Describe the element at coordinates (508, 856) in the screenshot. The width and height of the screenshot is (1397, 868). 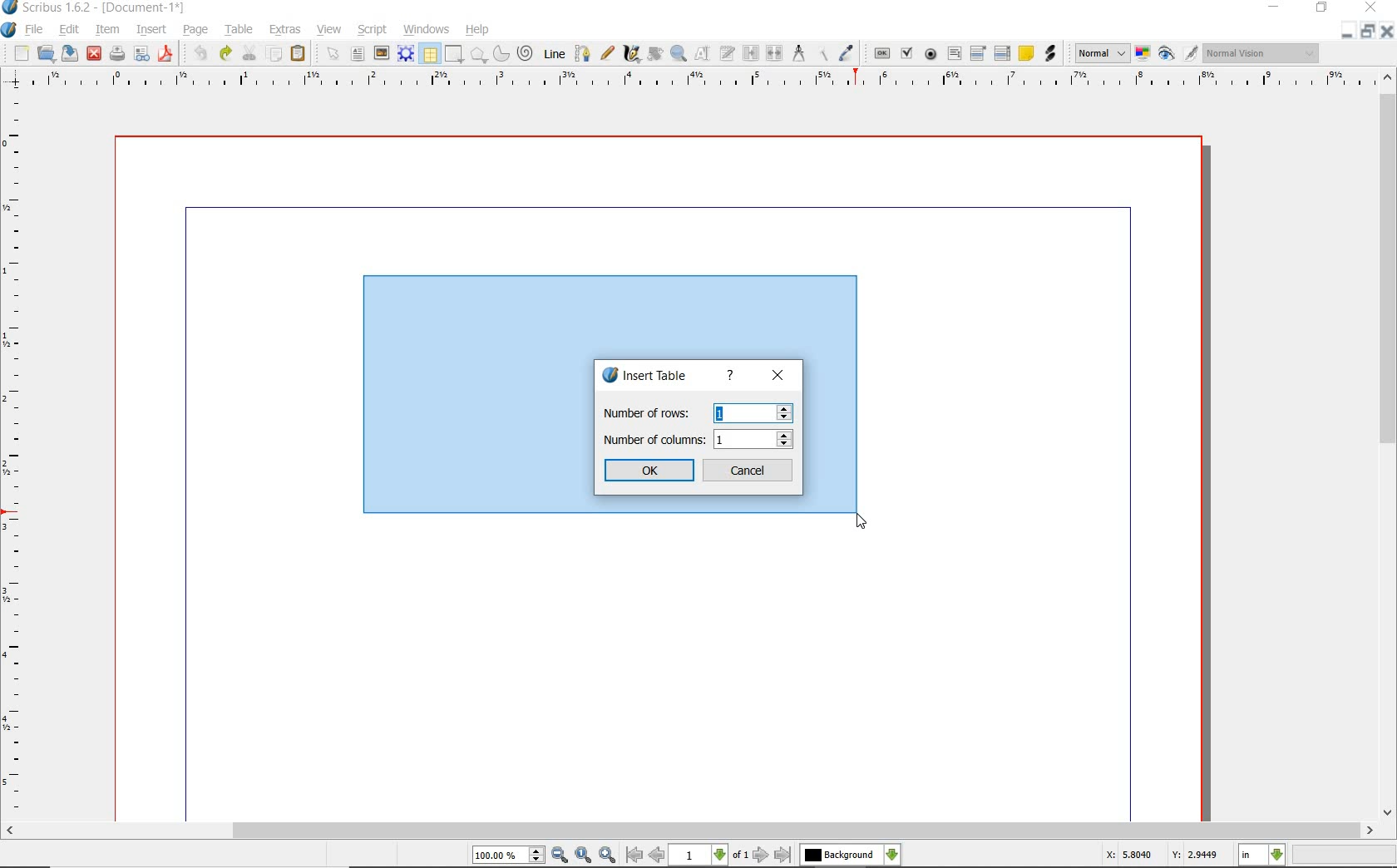
I see `select current zoom level` at that location.